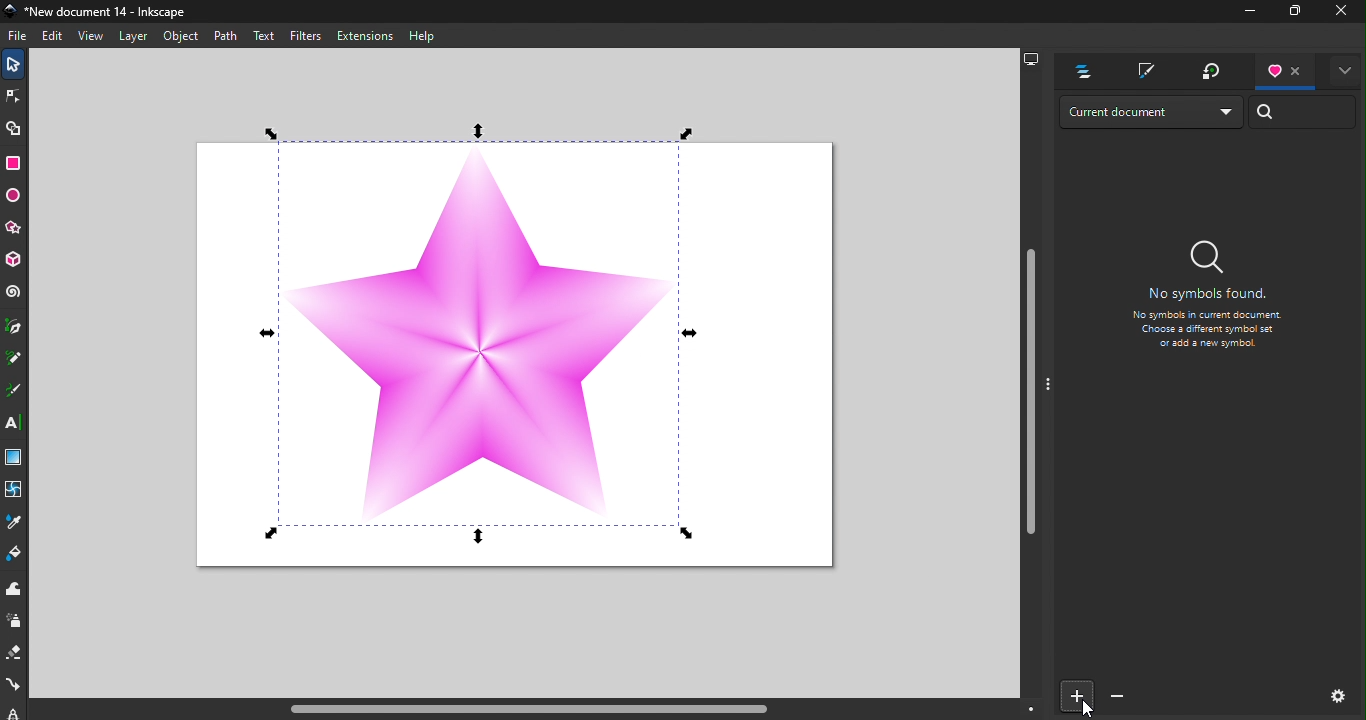  I want to click on Gradient tool, so click(15, 458).